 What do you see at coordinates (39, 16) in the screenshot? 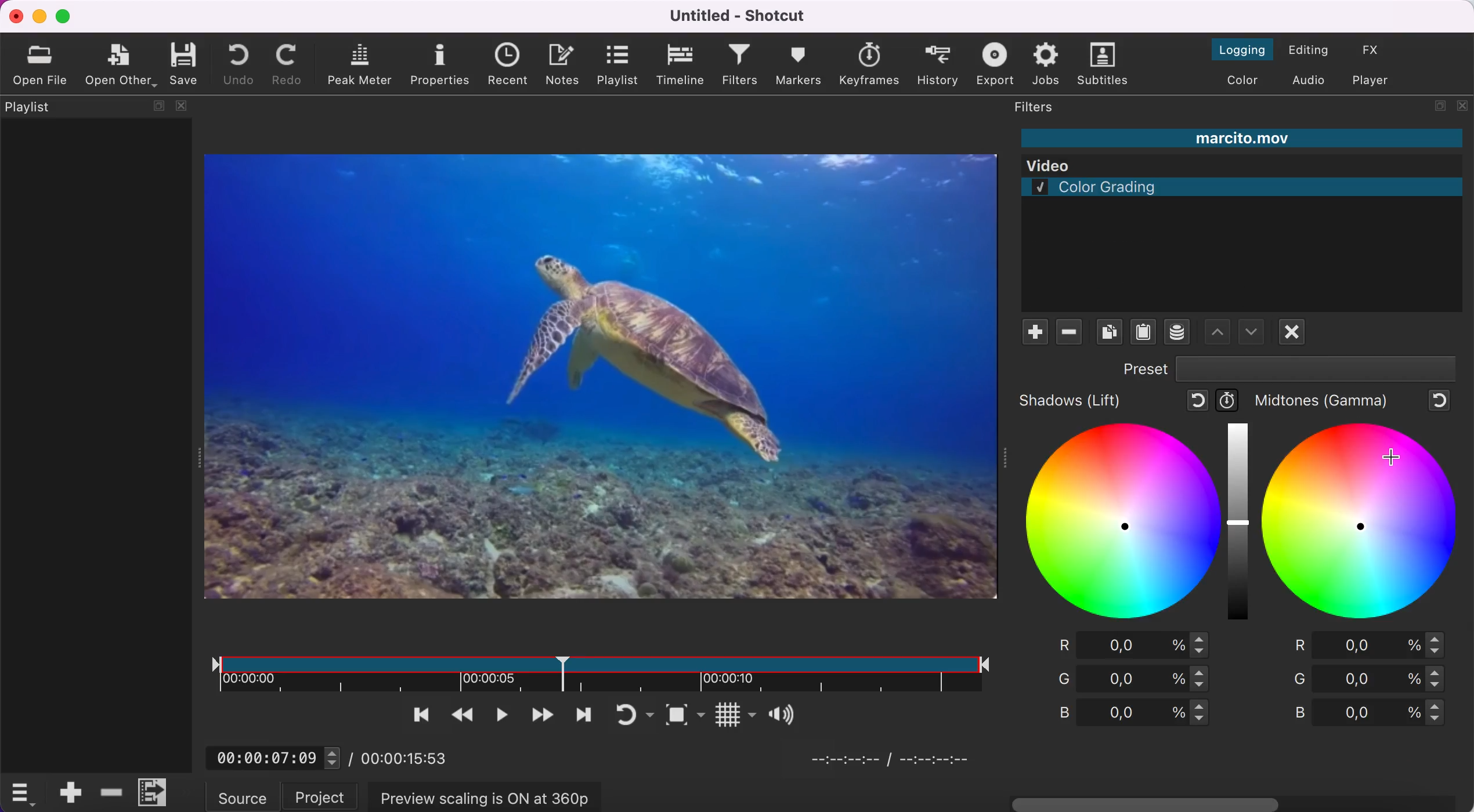
I see `minimize` at bounding box center [39, 16].